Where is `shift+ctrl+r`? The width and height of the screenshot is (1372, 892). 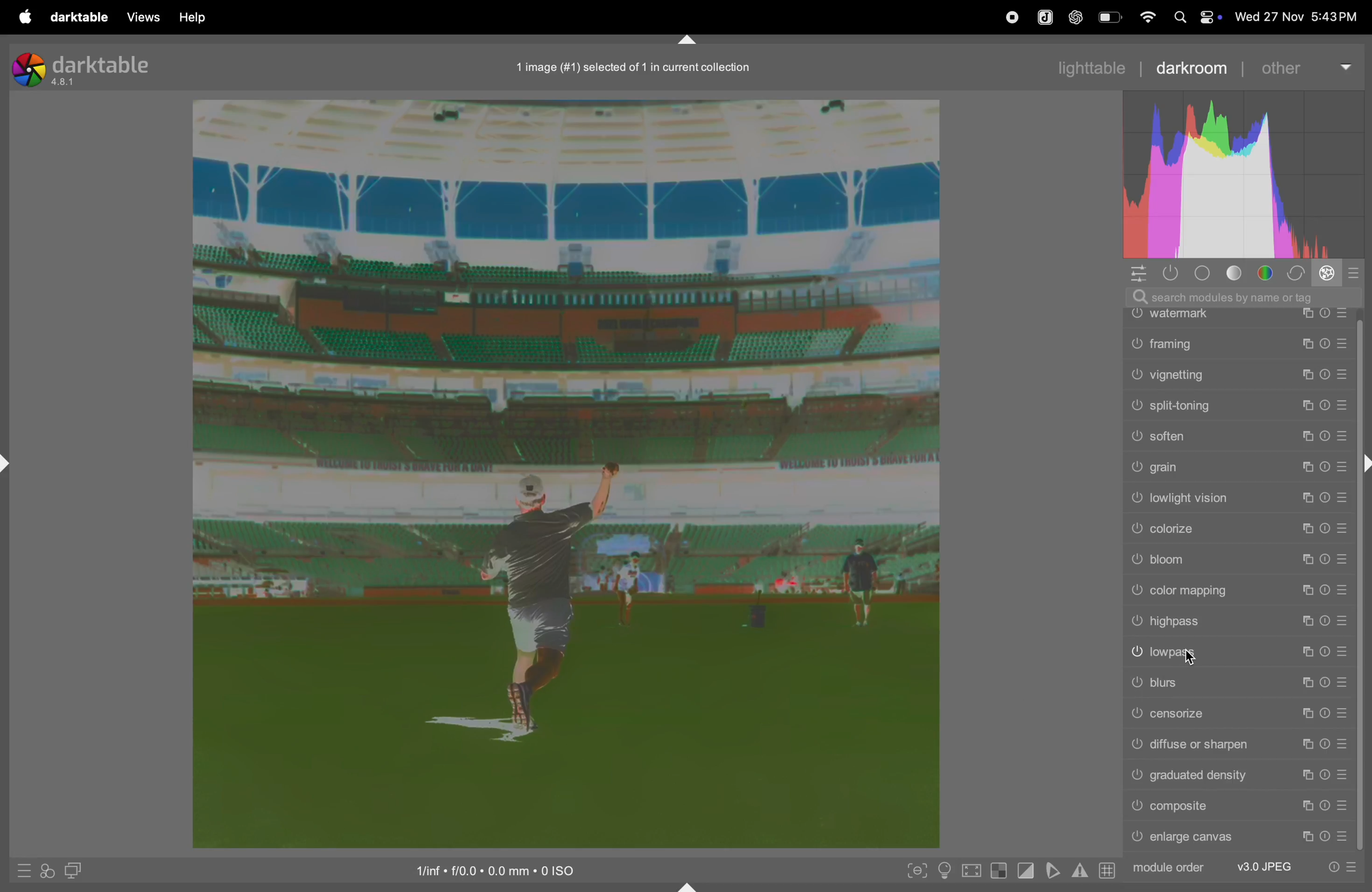
shift+ctrl+r is located at coordinates (1363, 466).